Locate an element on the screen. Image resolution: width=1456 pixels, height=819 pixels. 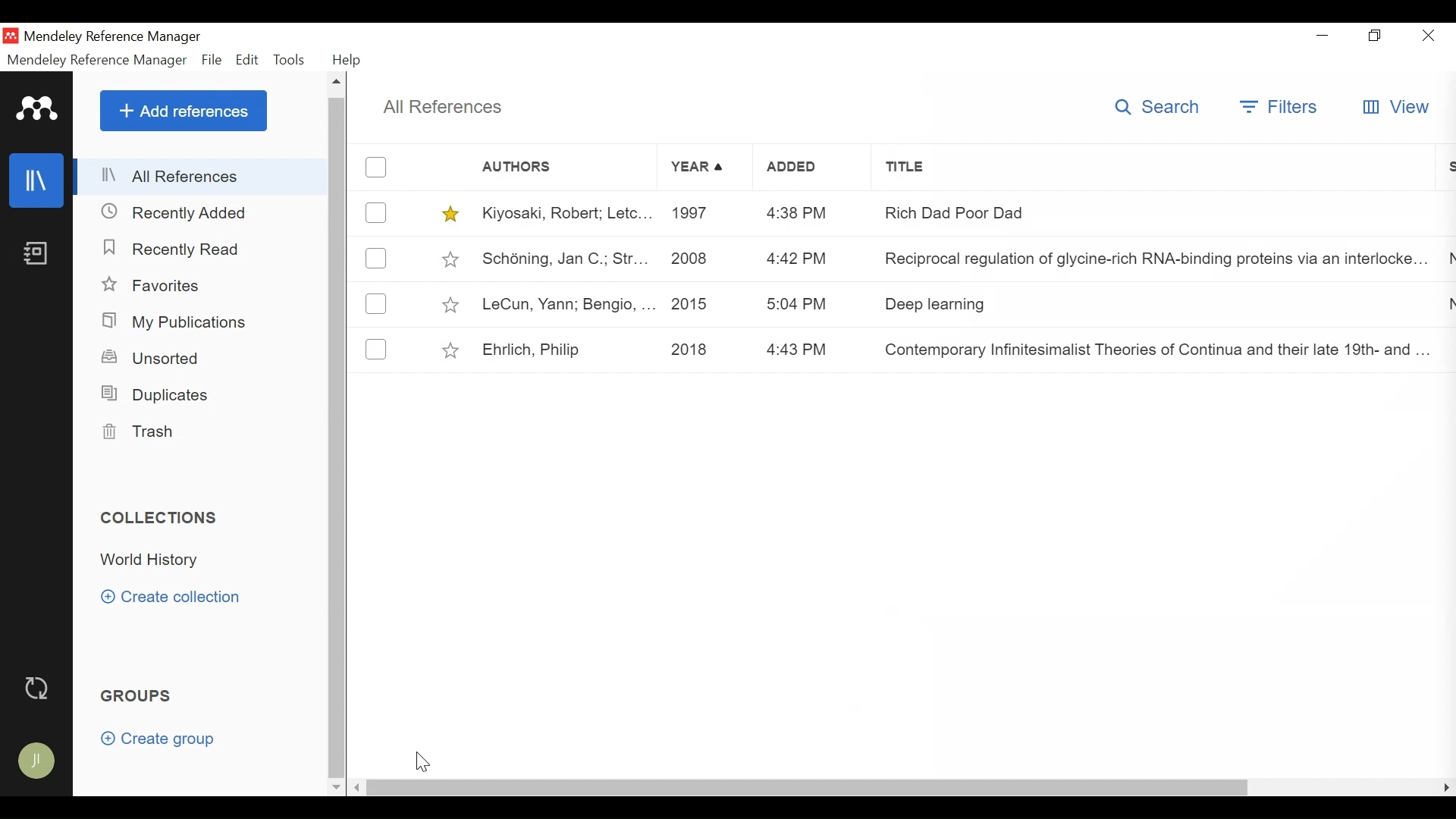
Recently Closed is located at coordinates (176, 251).